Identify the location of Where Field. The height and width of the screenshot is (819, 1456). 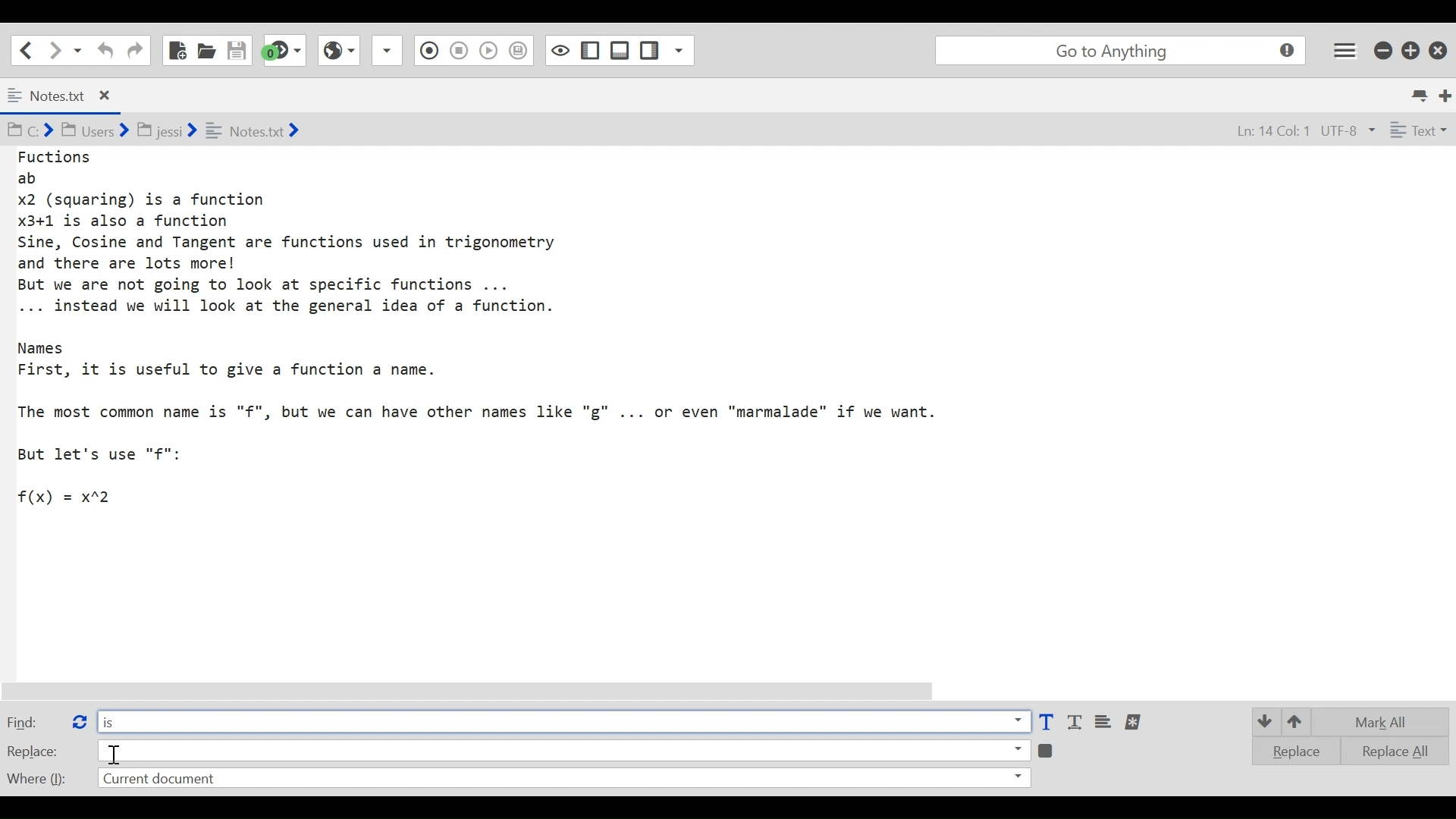
(563, 780).